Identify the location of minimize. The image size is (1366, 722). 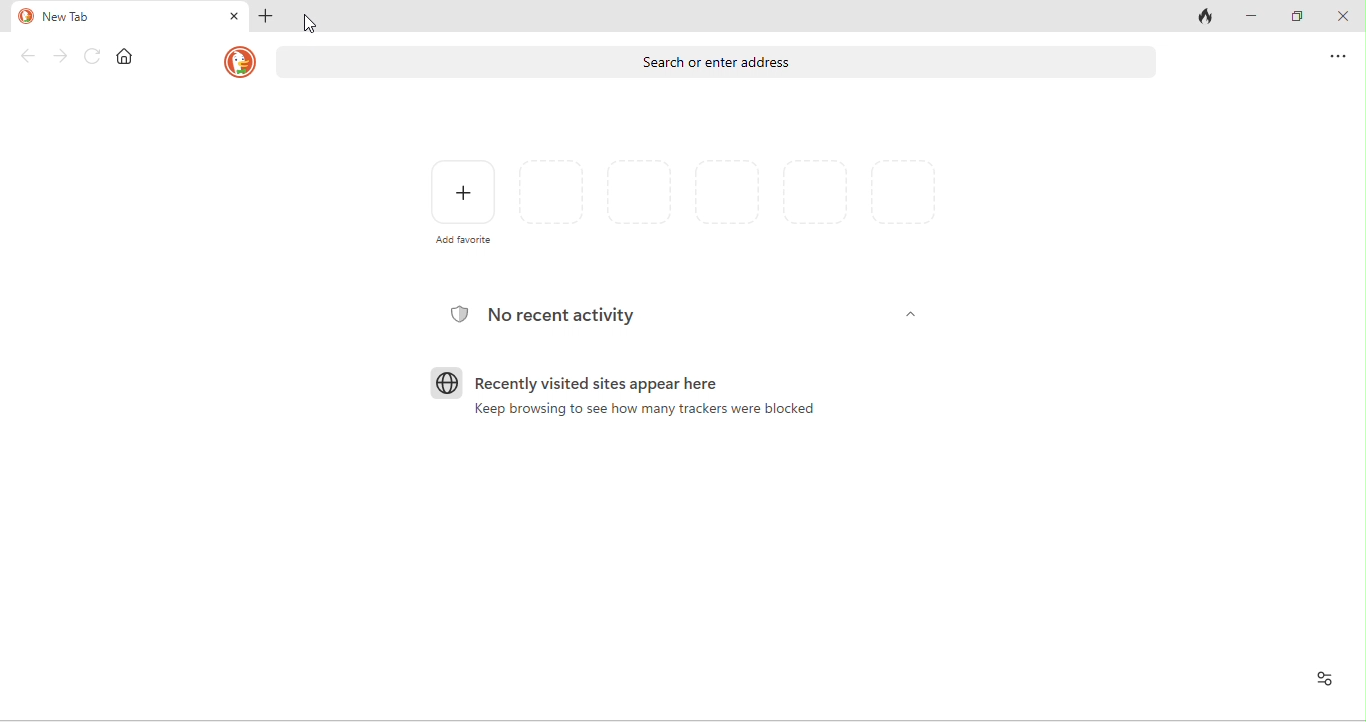
(1252, 16).